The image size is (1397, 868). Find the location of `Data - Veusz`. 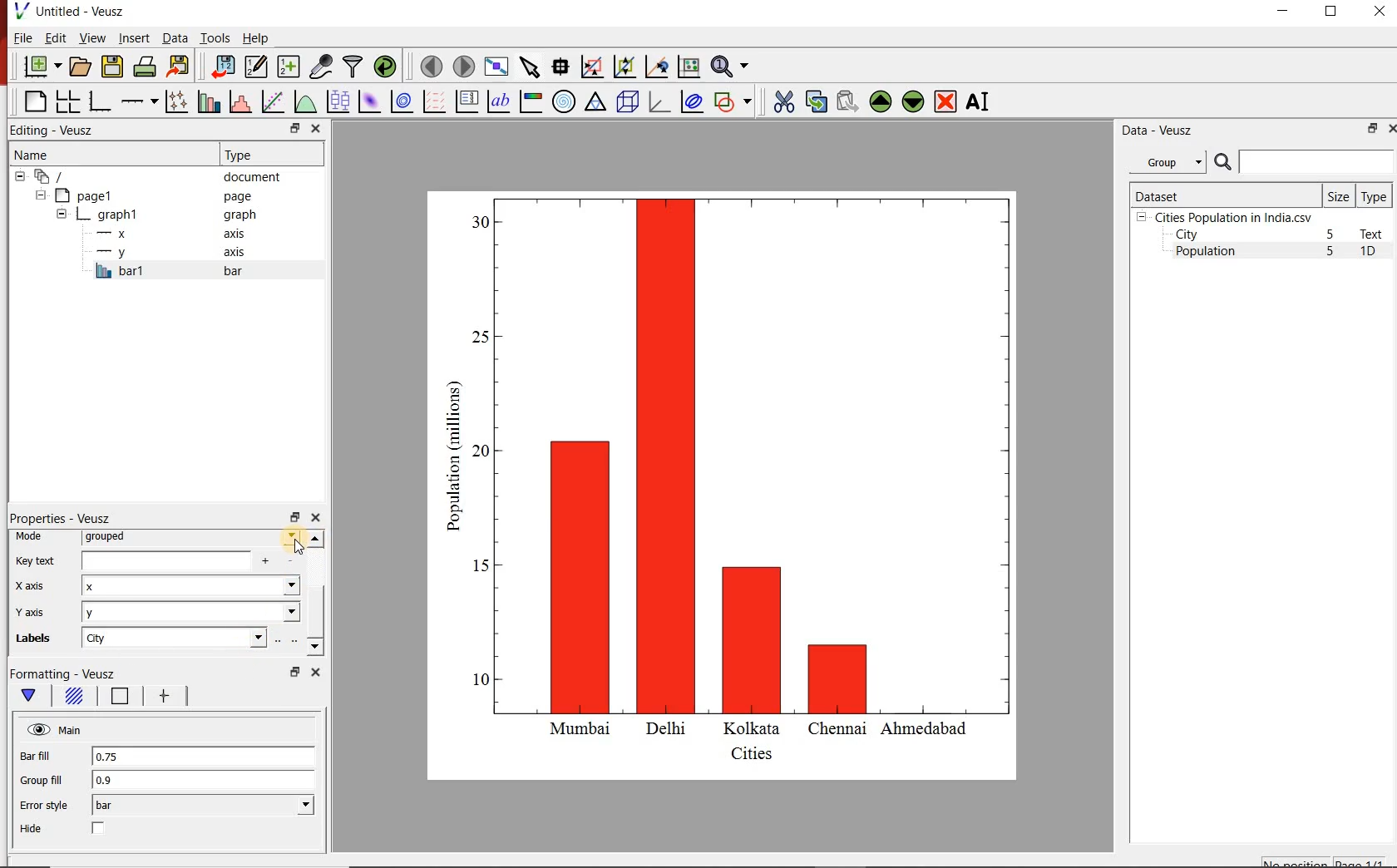

Data - Veusz is located at coordinates (1154, 130).